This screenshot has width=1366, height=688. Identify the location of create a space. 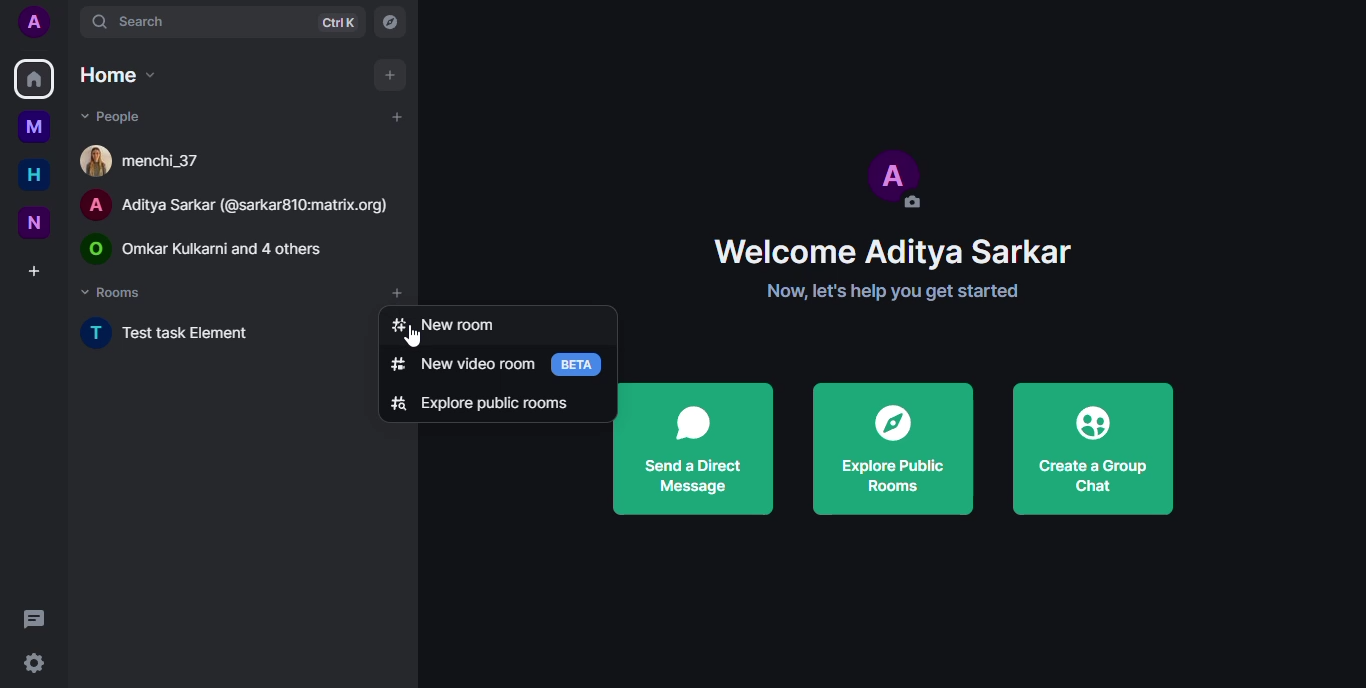
(34, 270).